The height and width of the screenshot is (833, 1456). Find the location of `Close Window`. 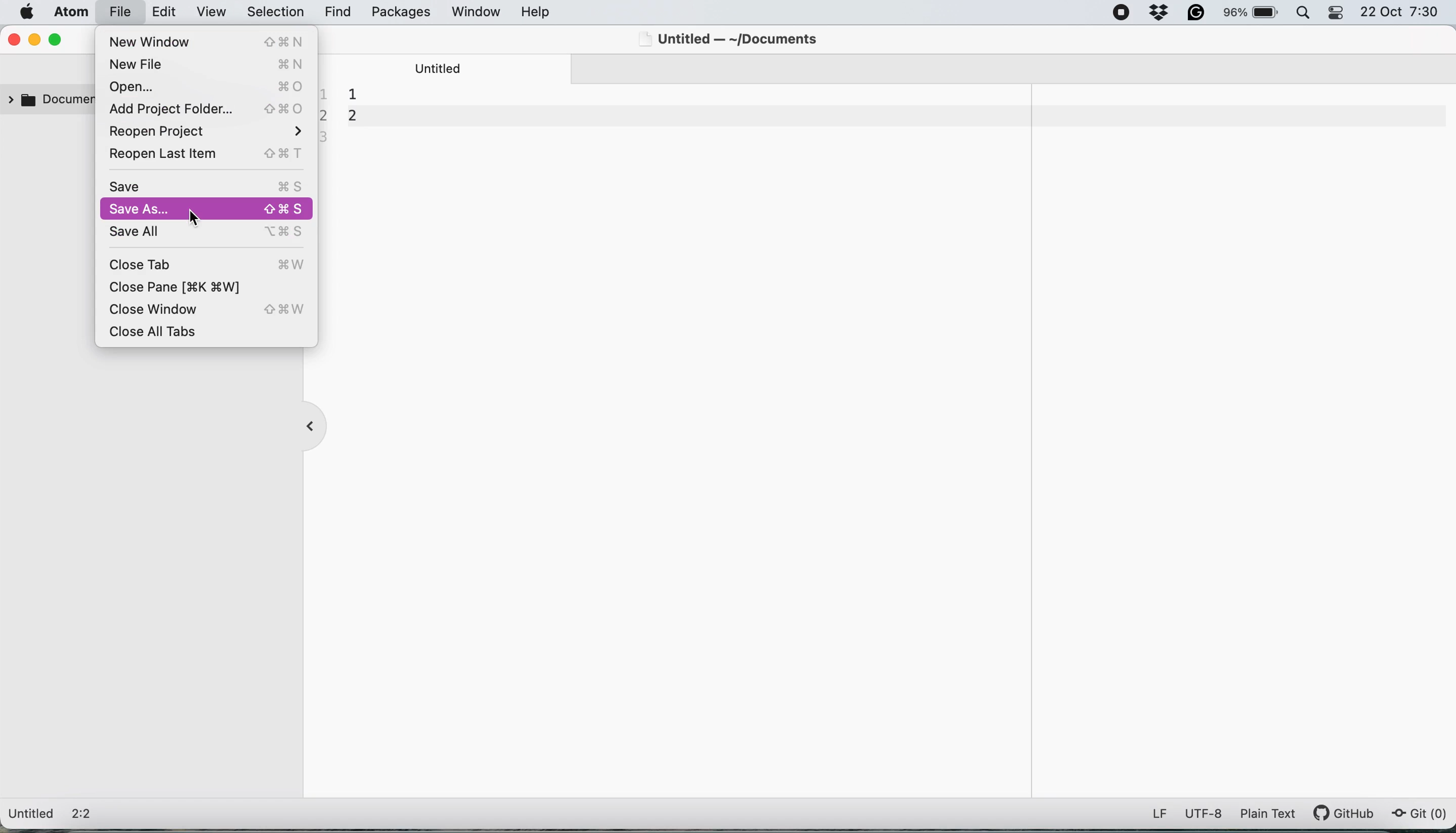

Close Window is located at coordinates (207, 309).